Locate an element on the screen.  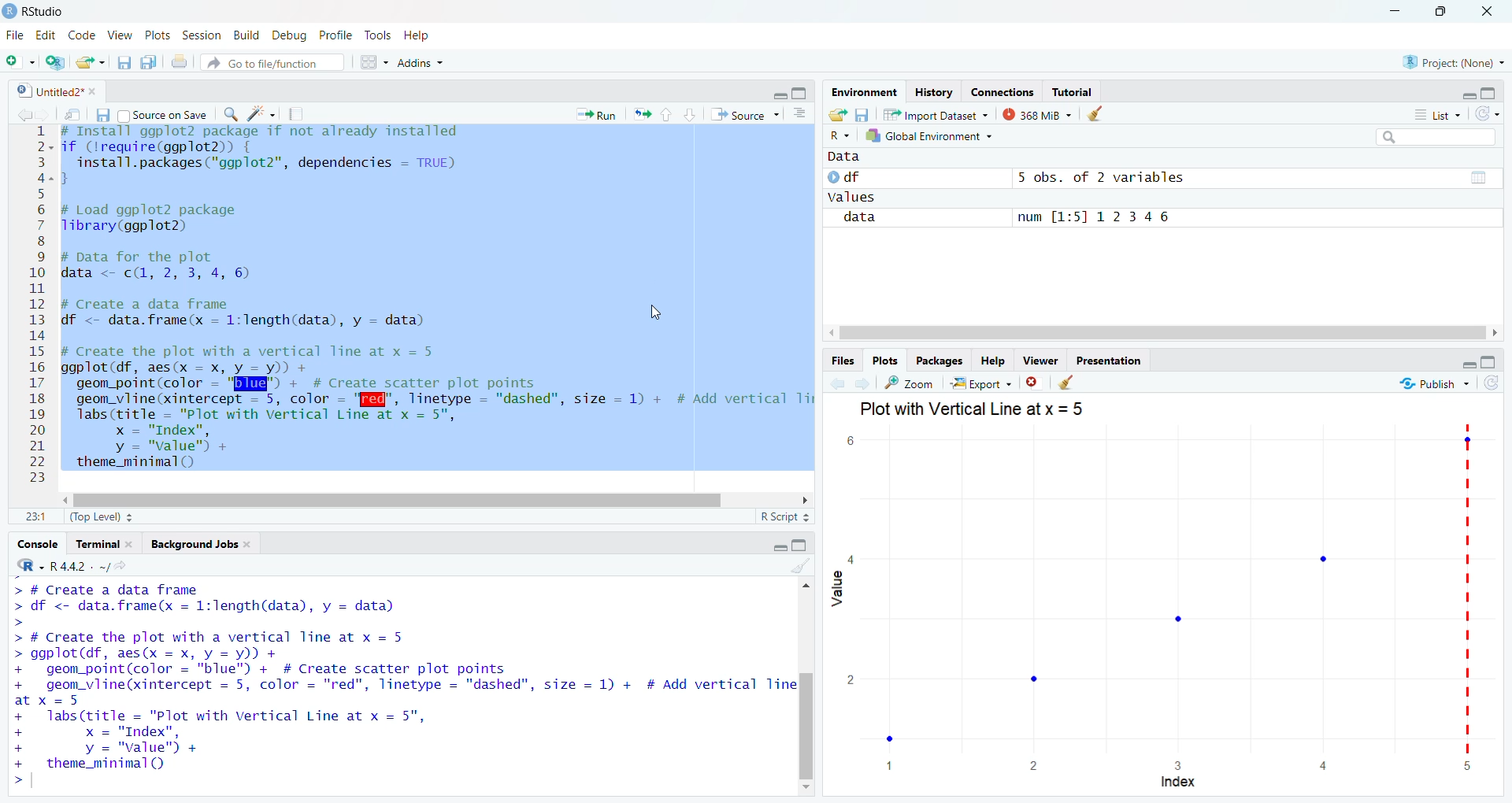
move is located at coordinates (74, 116).